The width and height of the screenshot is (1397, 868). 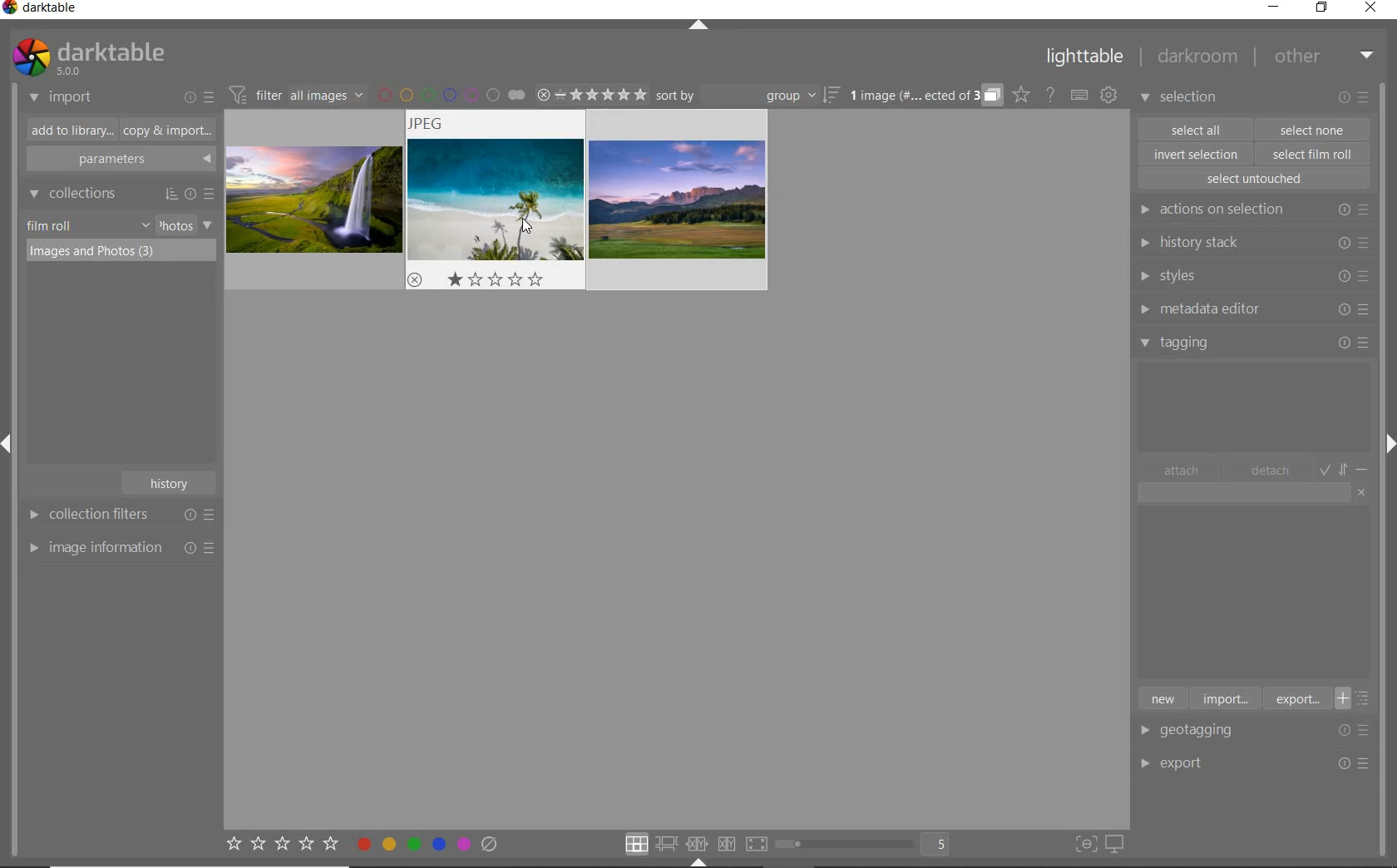 What do you see at coordinates (87, 57) in the screenshot?
I see `system logo` at bounding box center [87, 57].